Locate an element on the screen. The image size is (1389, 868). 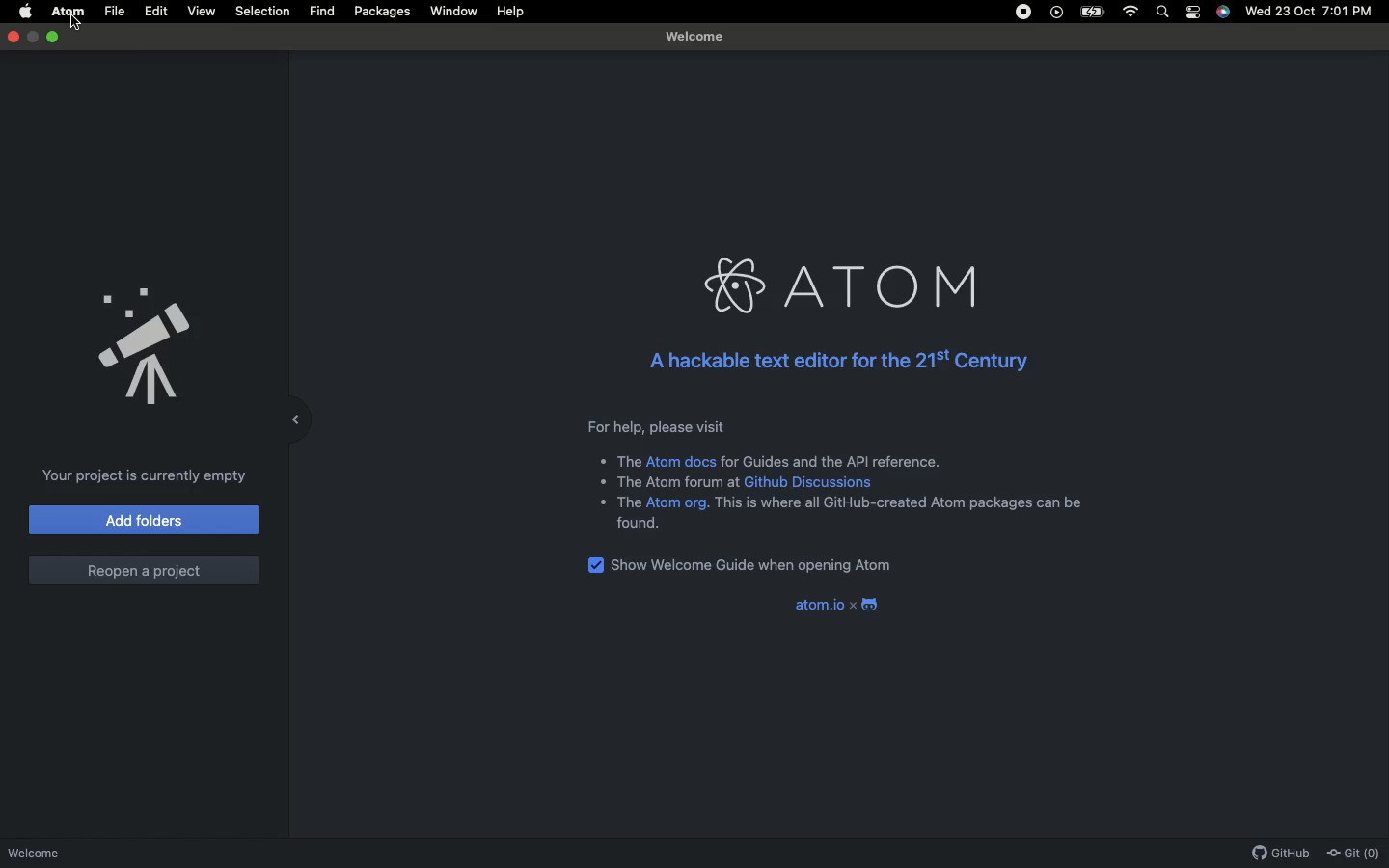
Internet is located at coordinates (1130, 14).